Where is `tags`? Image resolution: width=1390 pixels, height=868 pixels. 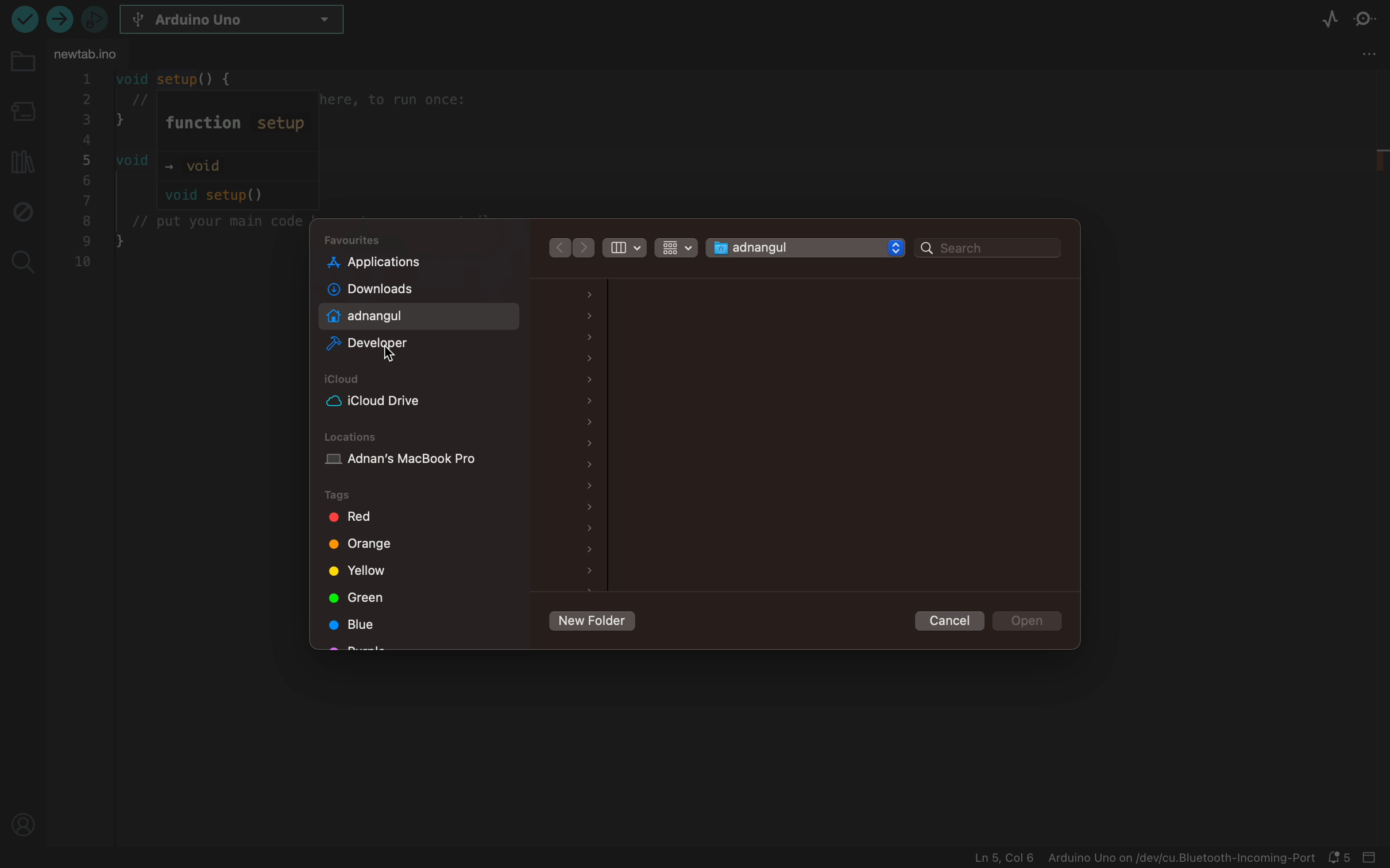
tags is located at coordinates (356, 596).